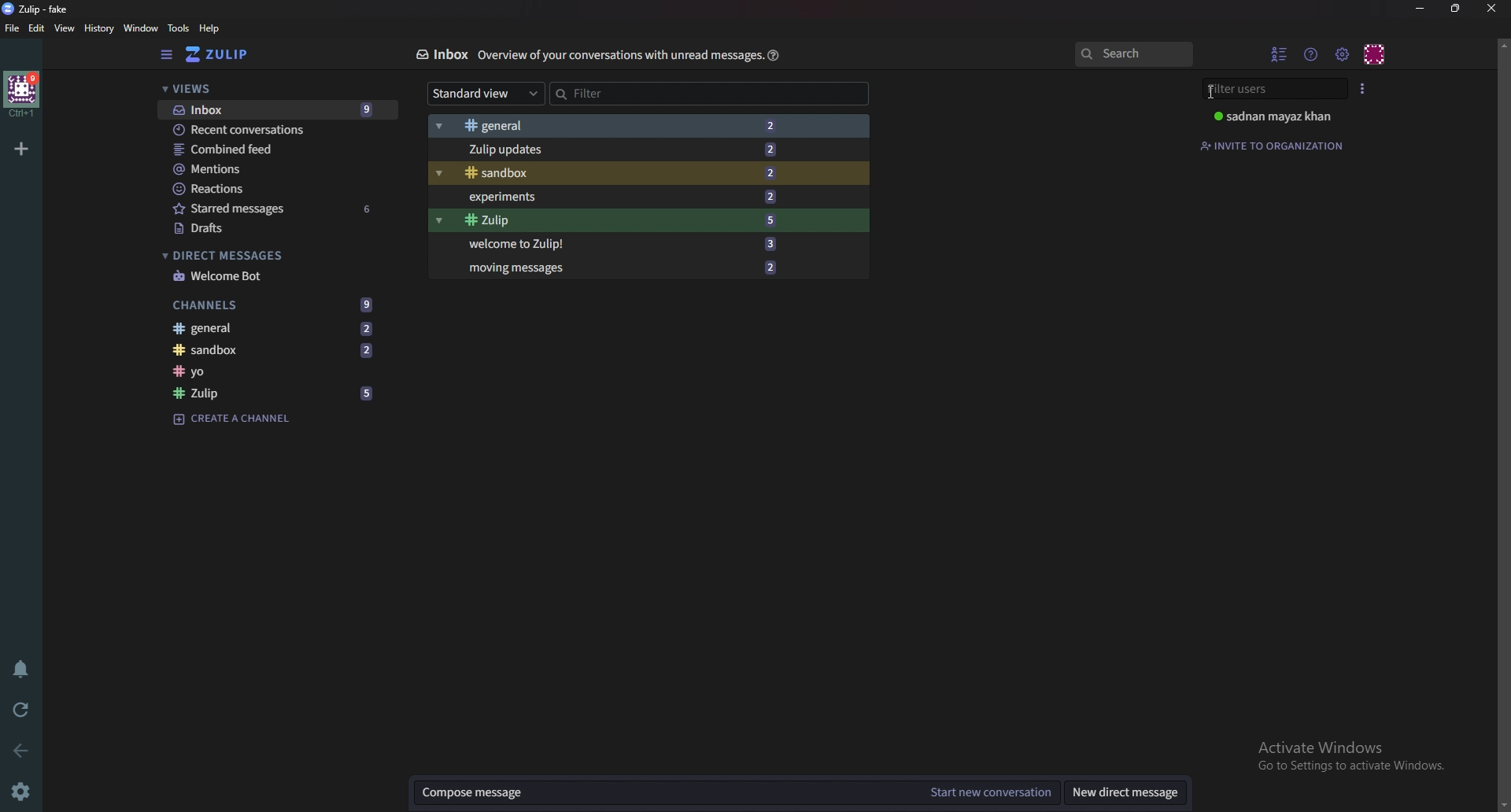 This screenshot has width=1511, height=812. I want to click on Channels, so click(273, 304).